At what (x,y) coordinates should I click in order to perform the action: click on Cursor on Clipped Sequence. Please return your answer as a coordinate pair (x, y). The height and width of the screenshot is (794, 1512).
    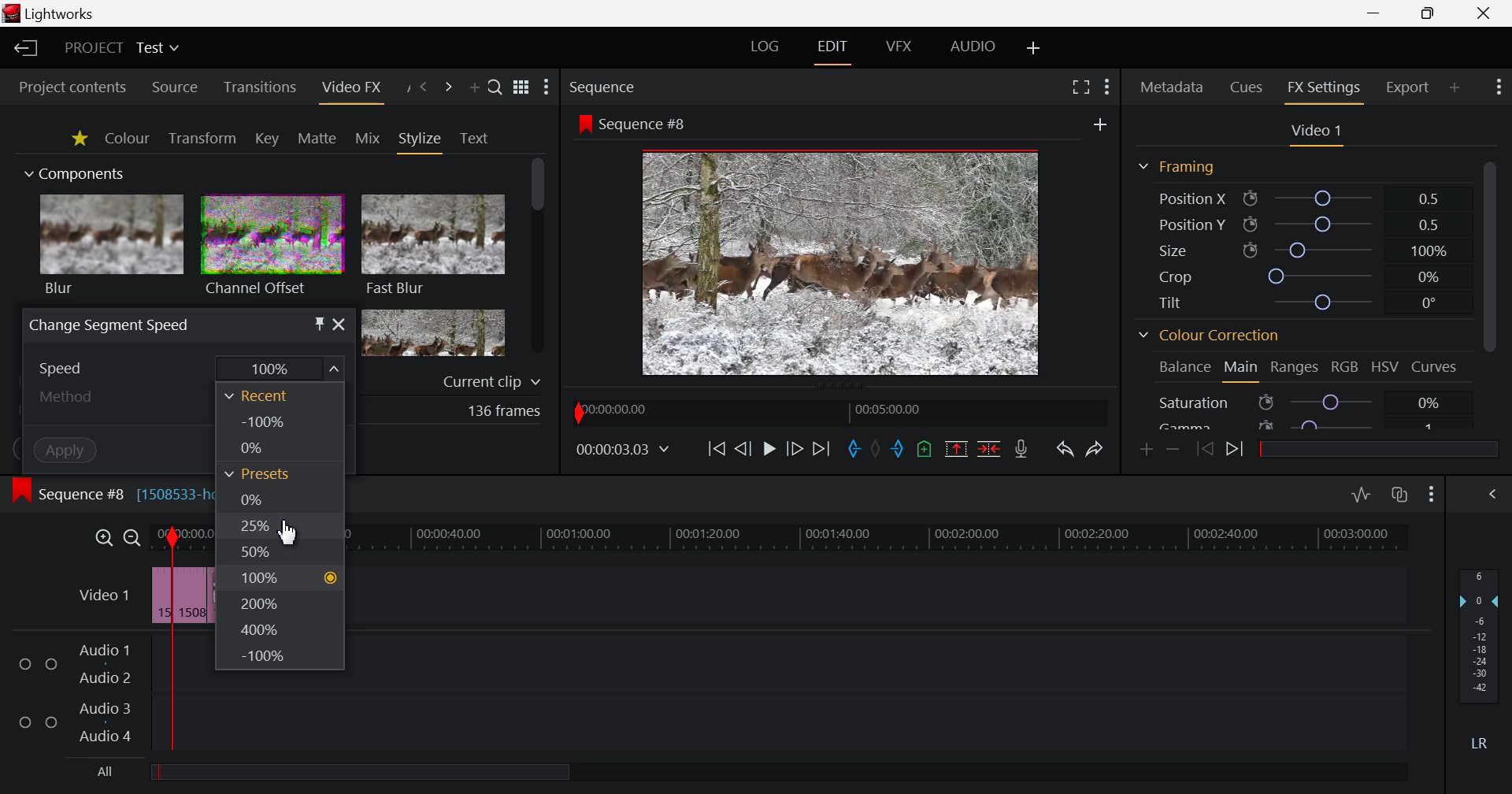
    Looking at the image, I should click on (188, 595).